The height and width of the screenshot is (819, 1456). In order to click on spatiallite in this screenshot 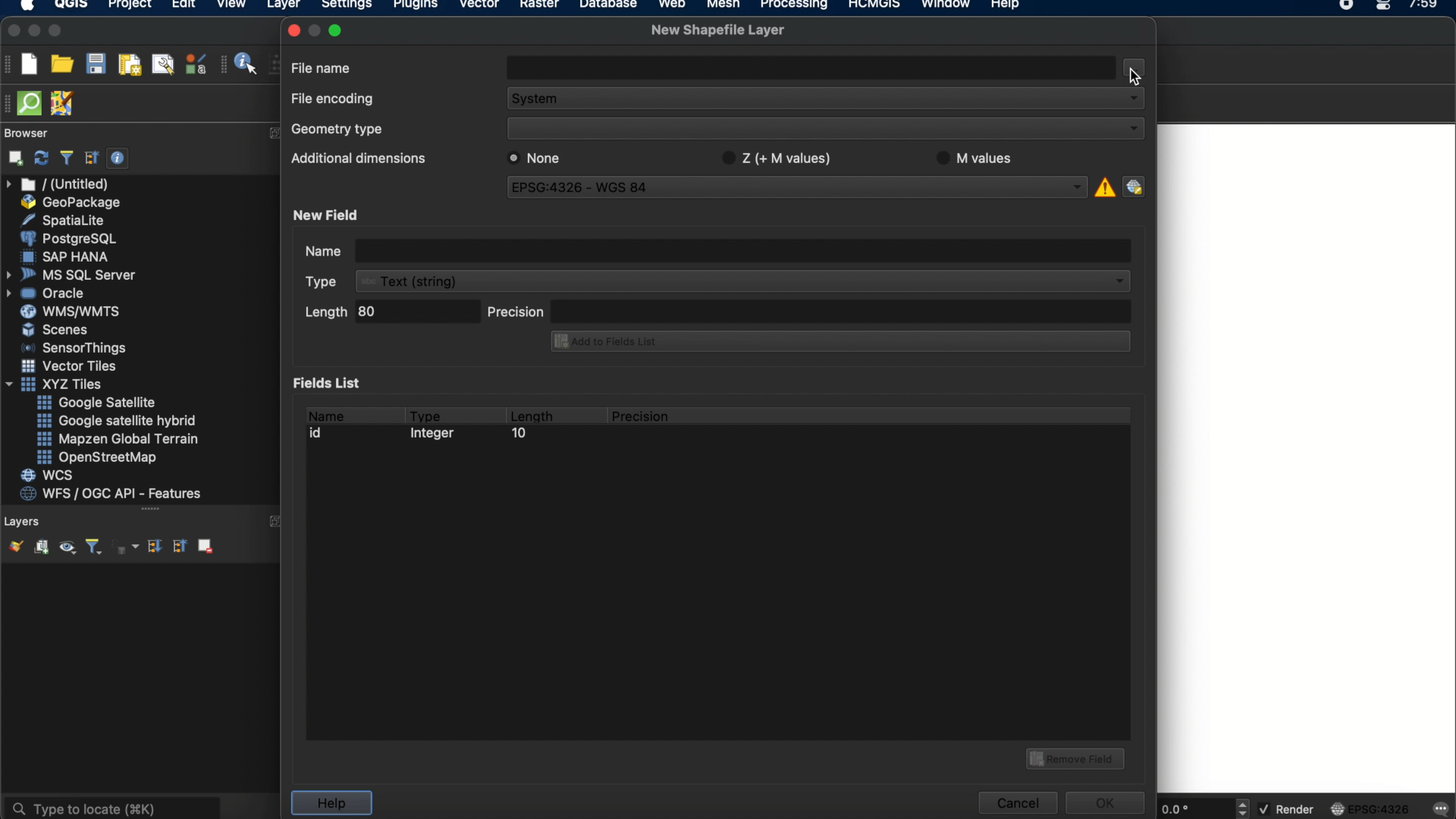, I will do `click(66, 220)`.